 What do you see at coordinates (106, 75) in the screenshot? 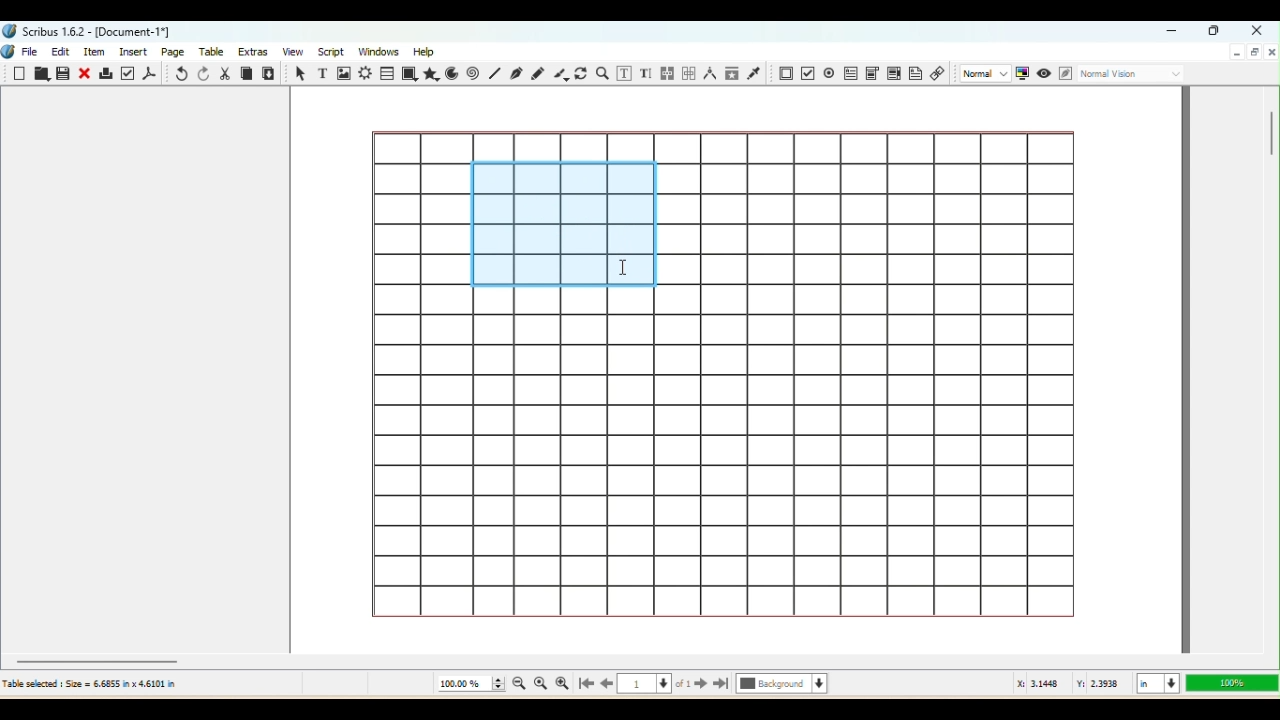
I see `Print` at bounding box center [106, 75].